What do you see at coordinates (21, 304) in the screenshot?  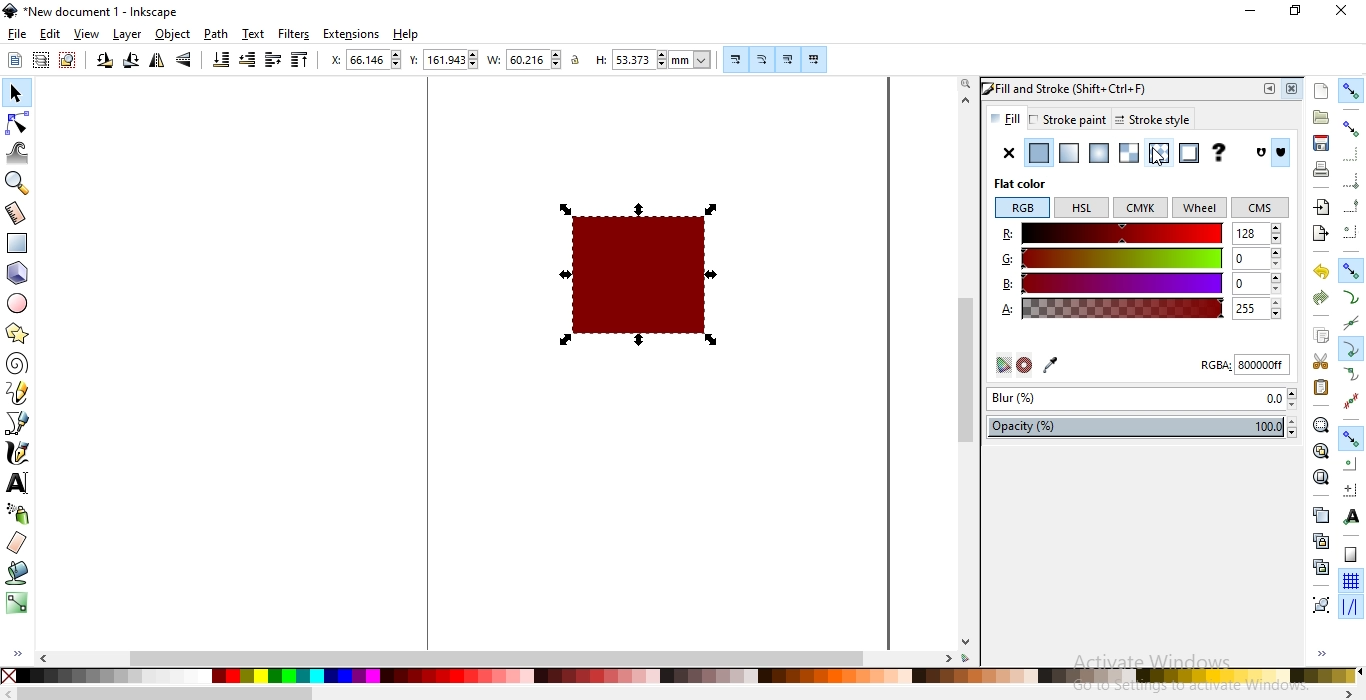 I see `creates circles, arcs and ellipses` at bounding box center [21, 304].